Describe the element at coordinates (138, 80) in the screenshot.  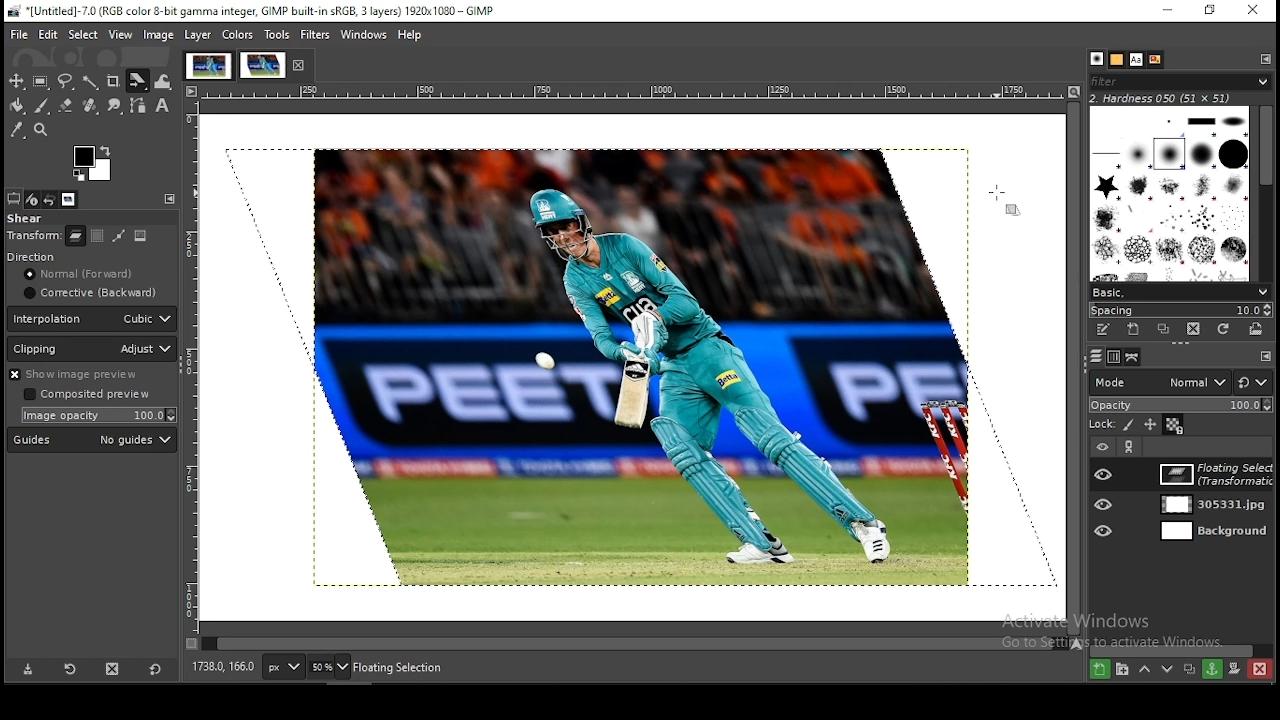
I see `shear tool` at that location.